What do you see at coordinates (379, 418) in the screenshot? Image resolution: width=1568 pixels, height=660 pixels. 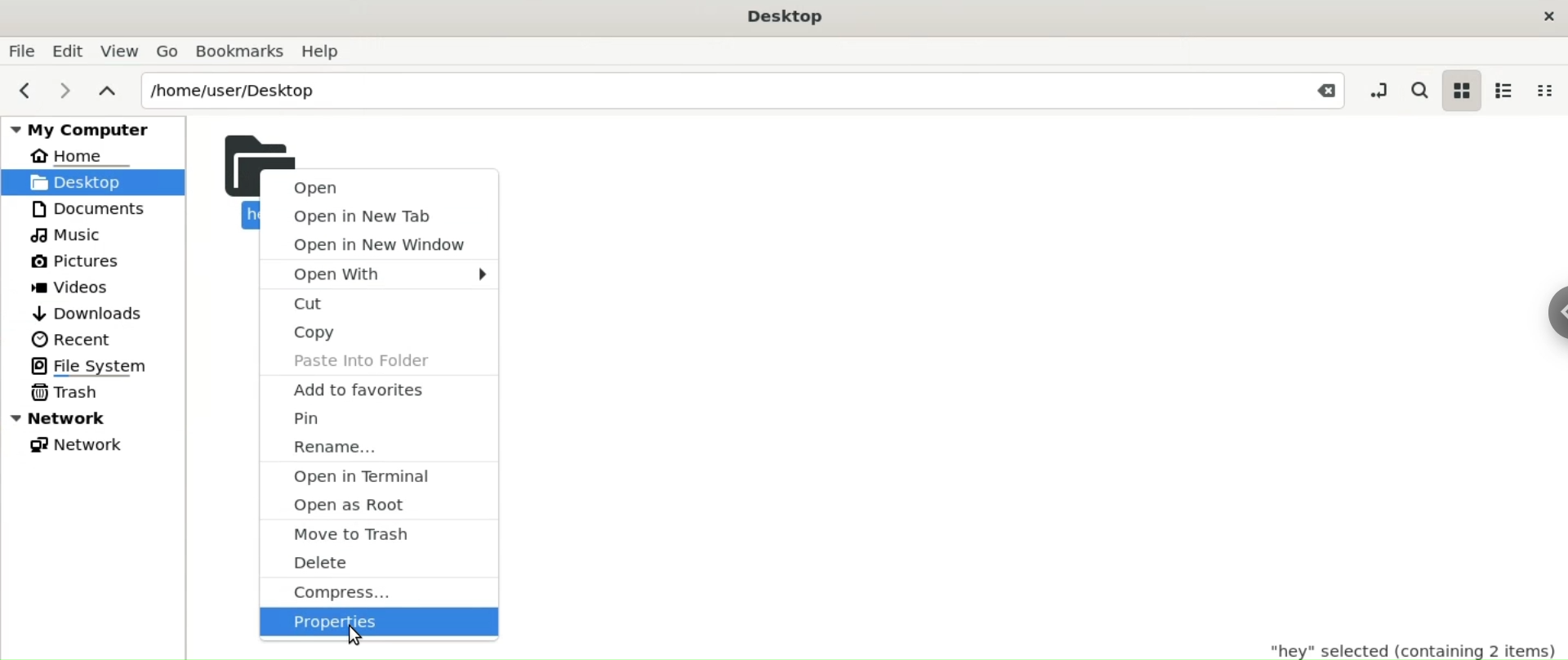 I see `pin` at bounding box center [379, 418].